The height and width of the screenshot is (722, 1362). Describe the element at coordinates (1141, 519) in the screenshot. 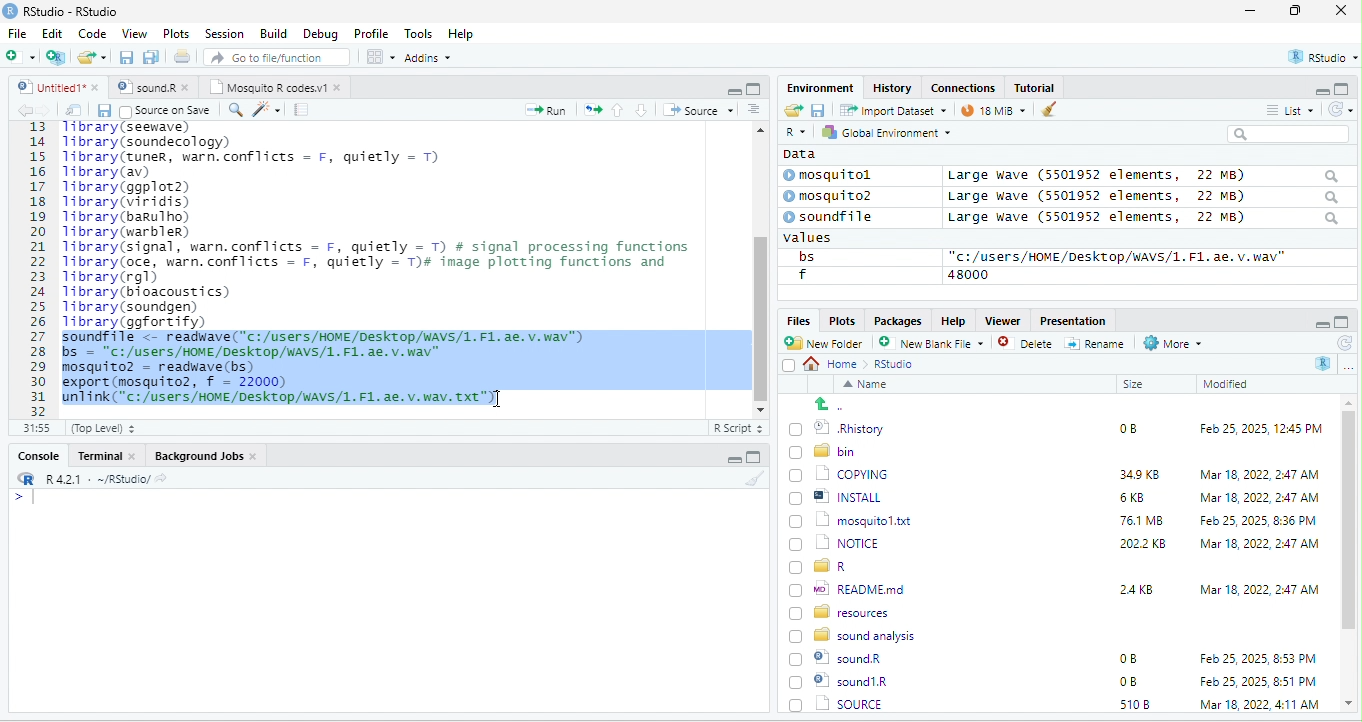

I see `76.1 MB` at that location.